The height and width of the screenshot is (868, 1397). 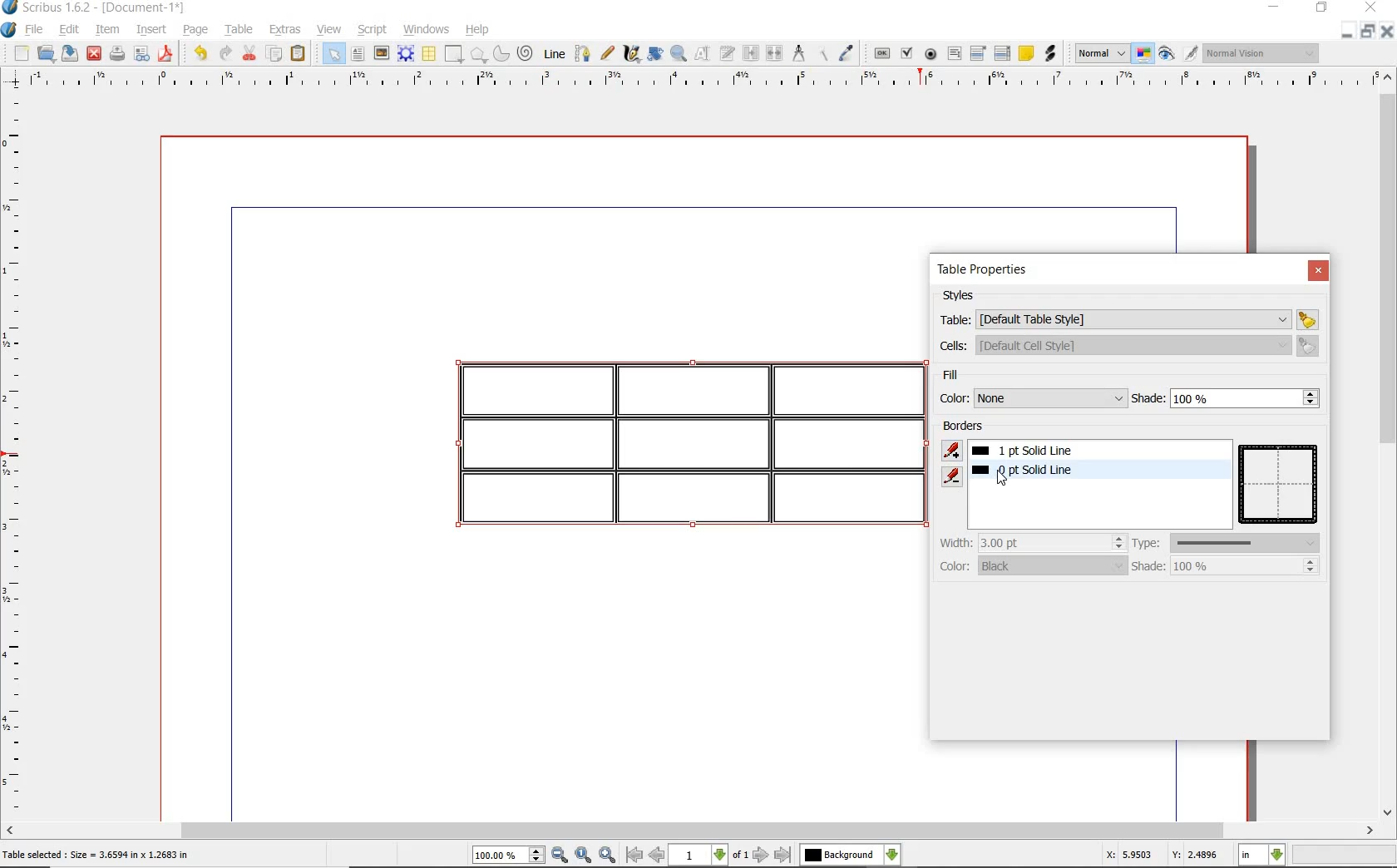 What do you see at coordinates (634, 856) in the screenshot?
I see `go to first page` at bounding box center [634, 856].